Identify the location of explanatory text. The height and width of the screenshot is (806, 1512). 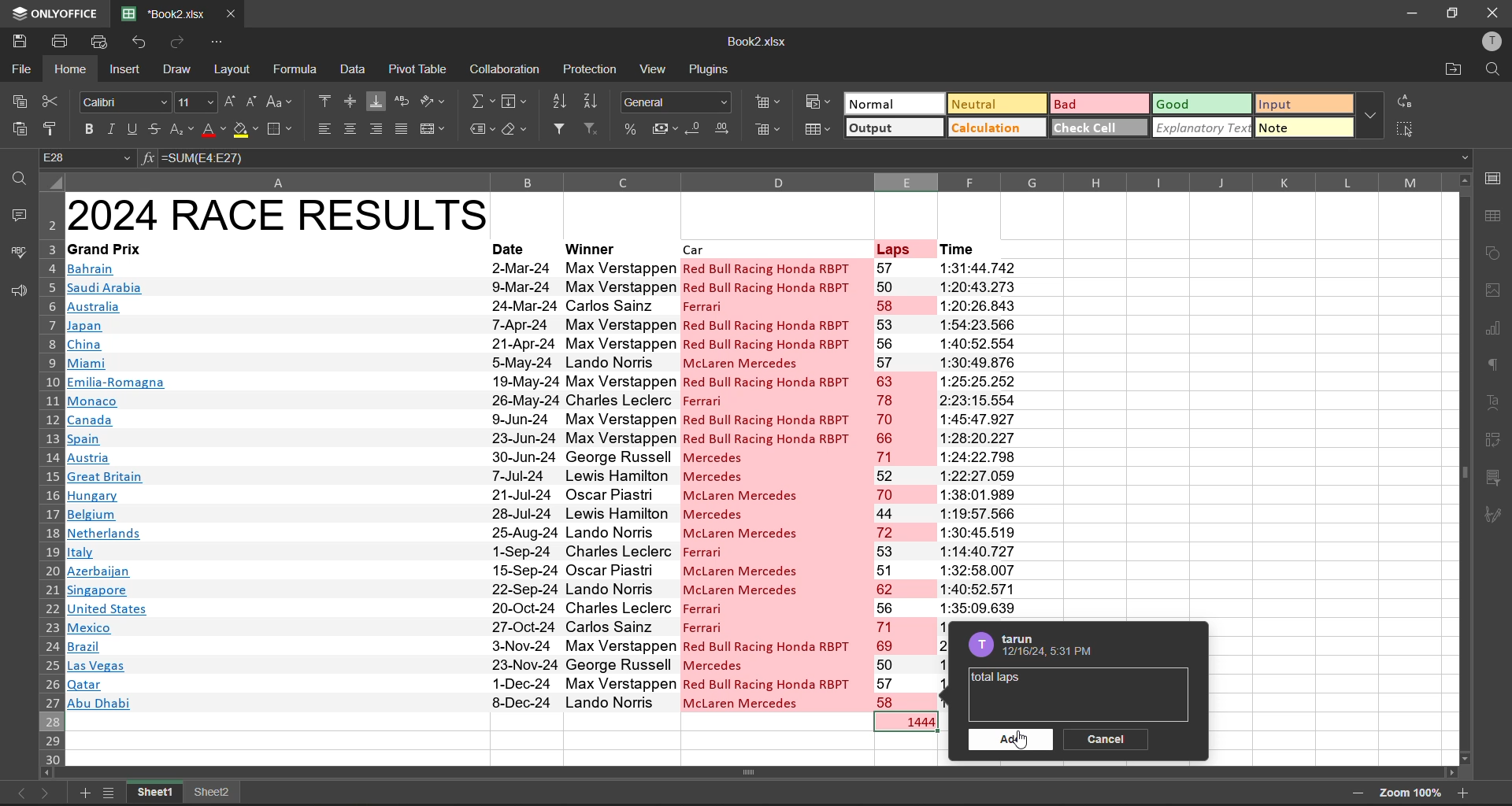
(1202, 128).